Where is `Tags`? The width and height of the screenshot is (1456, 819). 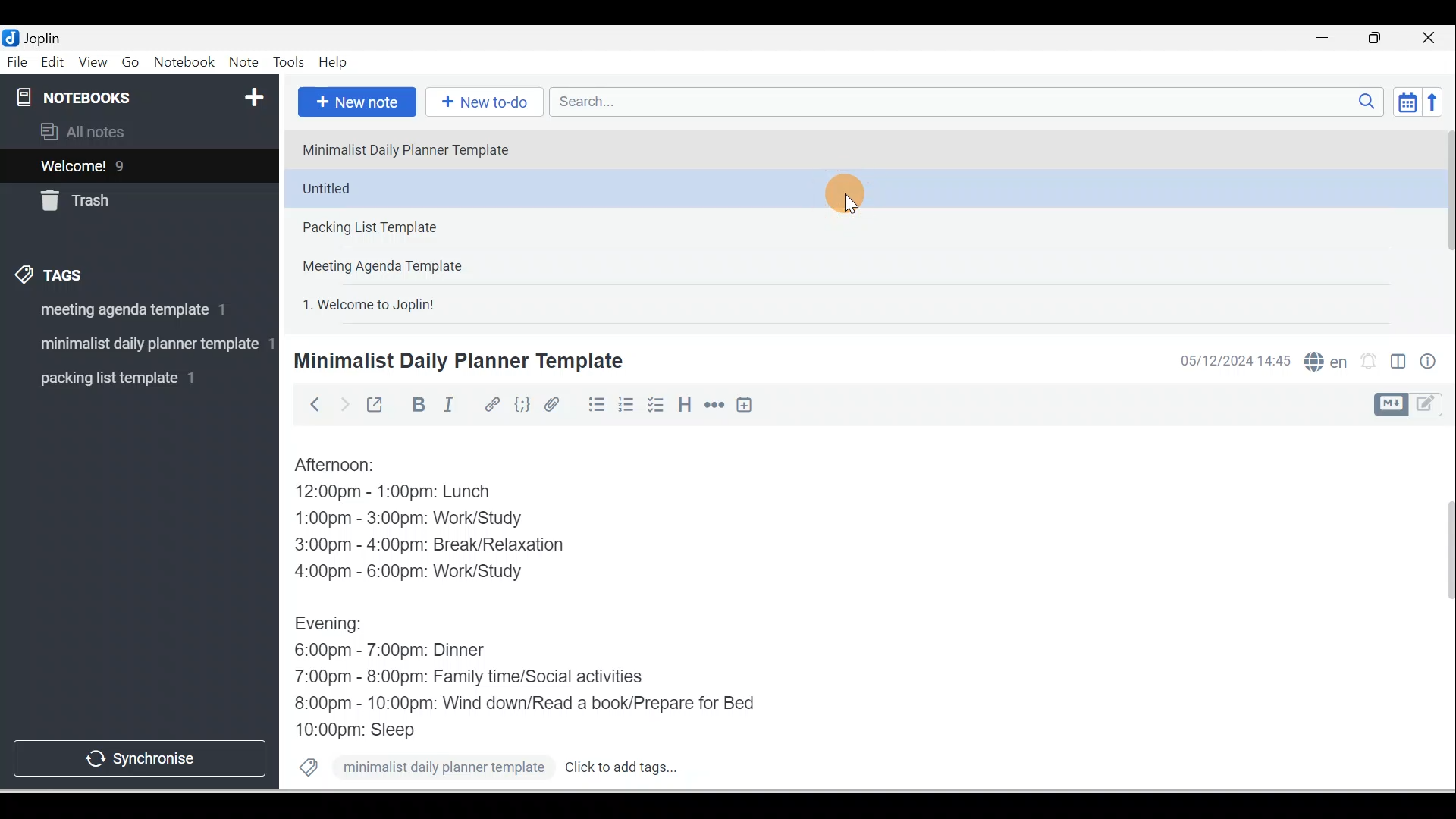
Tags is located at coordinates (54, 278).